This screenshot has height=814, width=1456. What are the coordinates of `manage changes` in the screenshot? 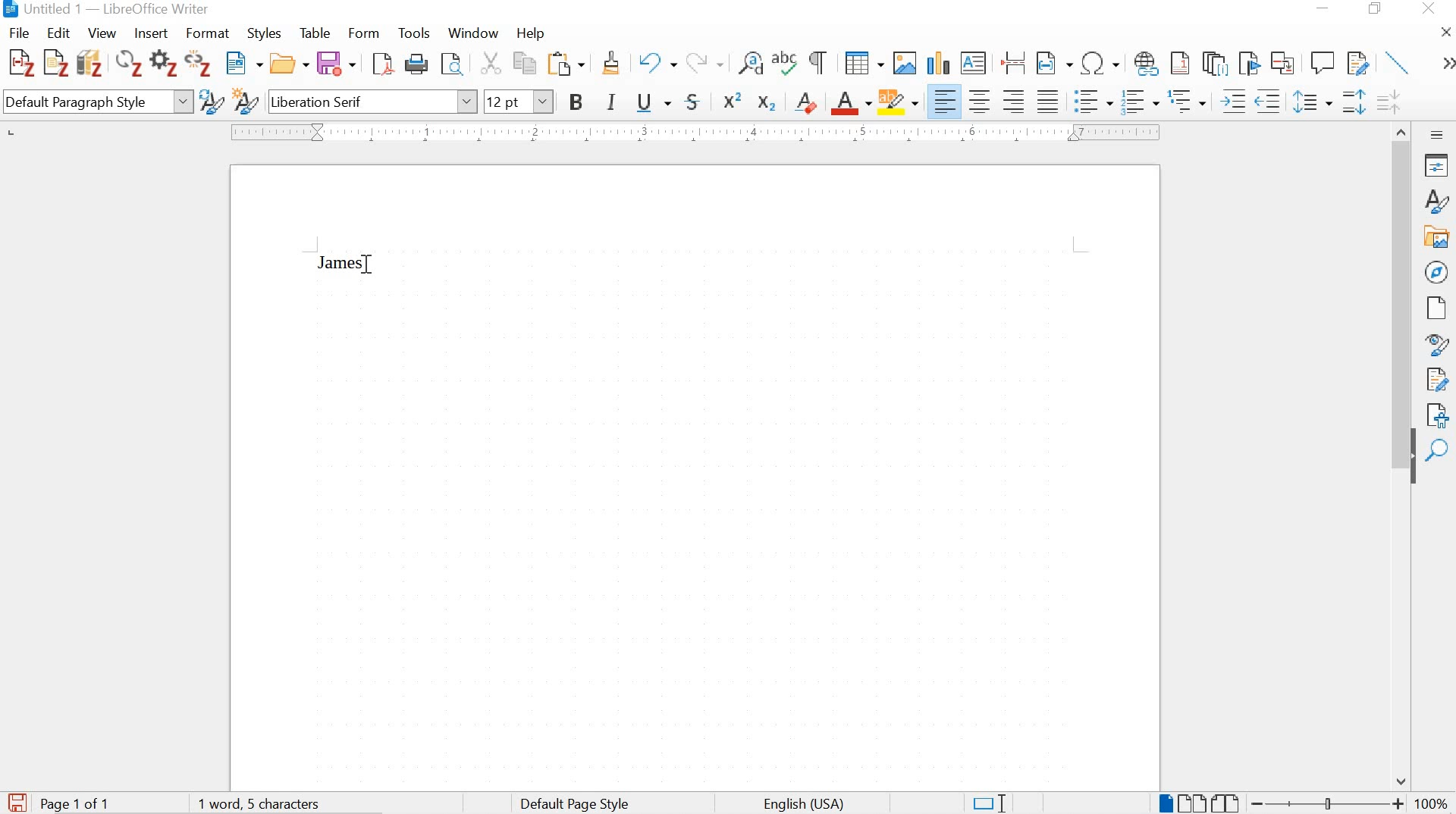 It's located at (1437, 381).